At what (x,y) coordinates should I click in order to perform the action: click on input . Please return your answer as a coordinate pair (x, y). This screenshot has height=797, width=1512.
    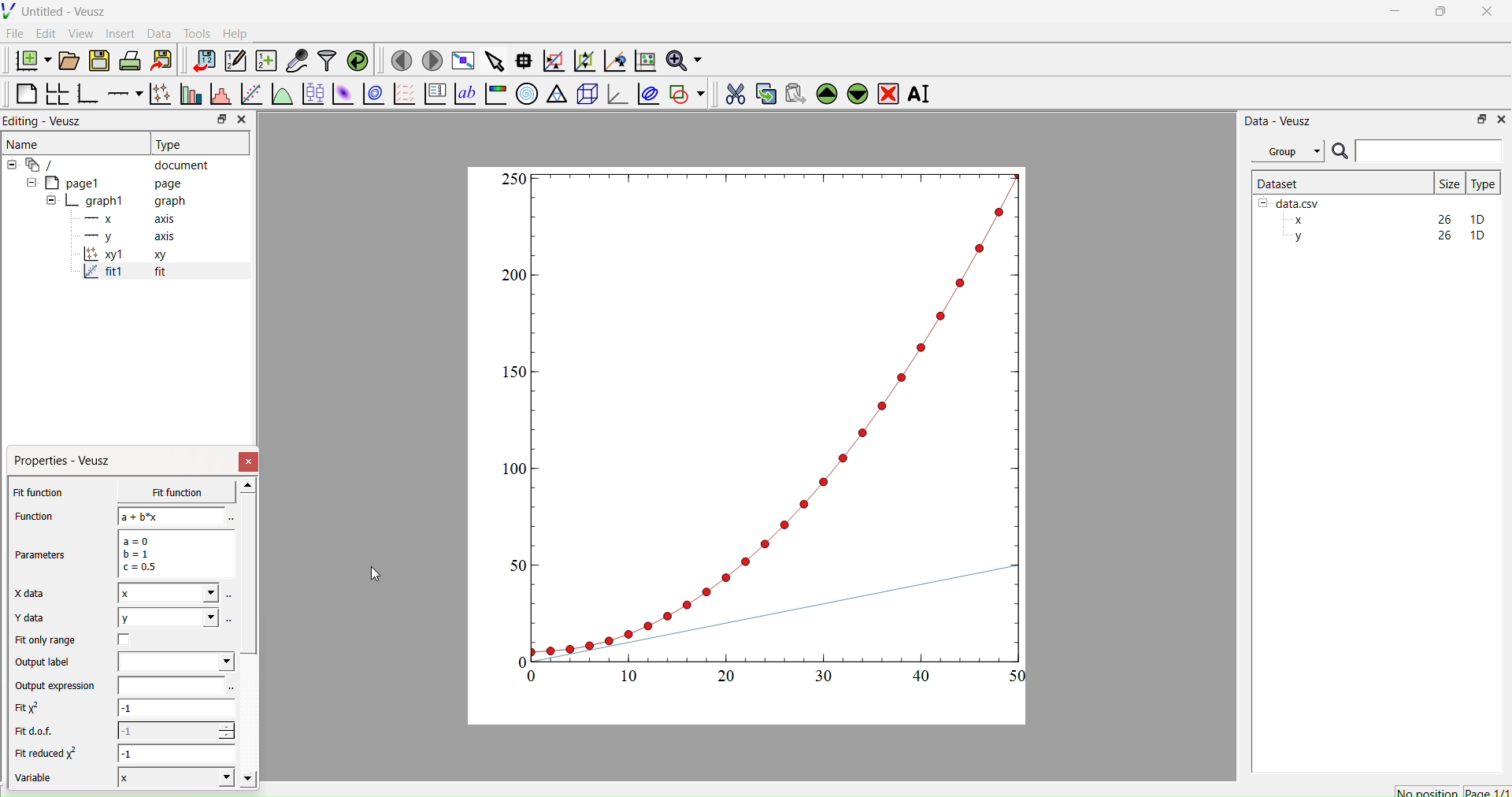
    Looking at the image, I should click on (169, 685).